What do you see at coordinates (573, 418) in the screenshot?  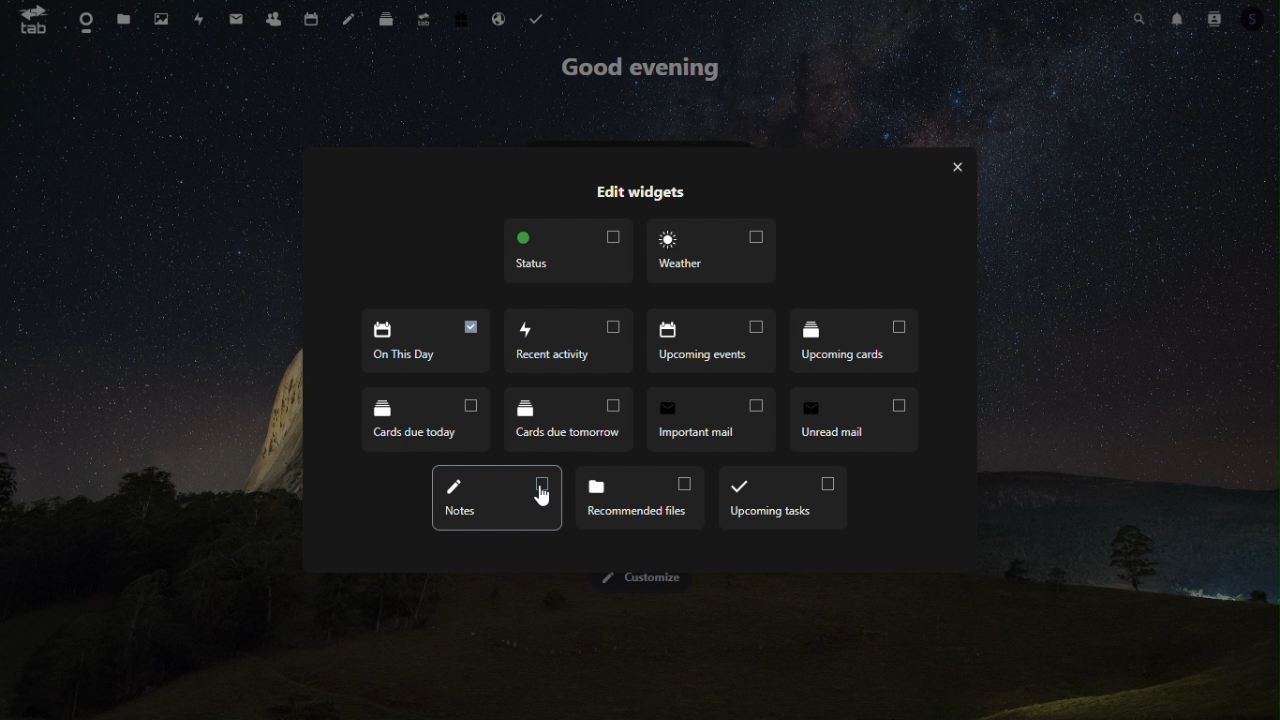 I see `Important mail` at bounding box center [573, 418].